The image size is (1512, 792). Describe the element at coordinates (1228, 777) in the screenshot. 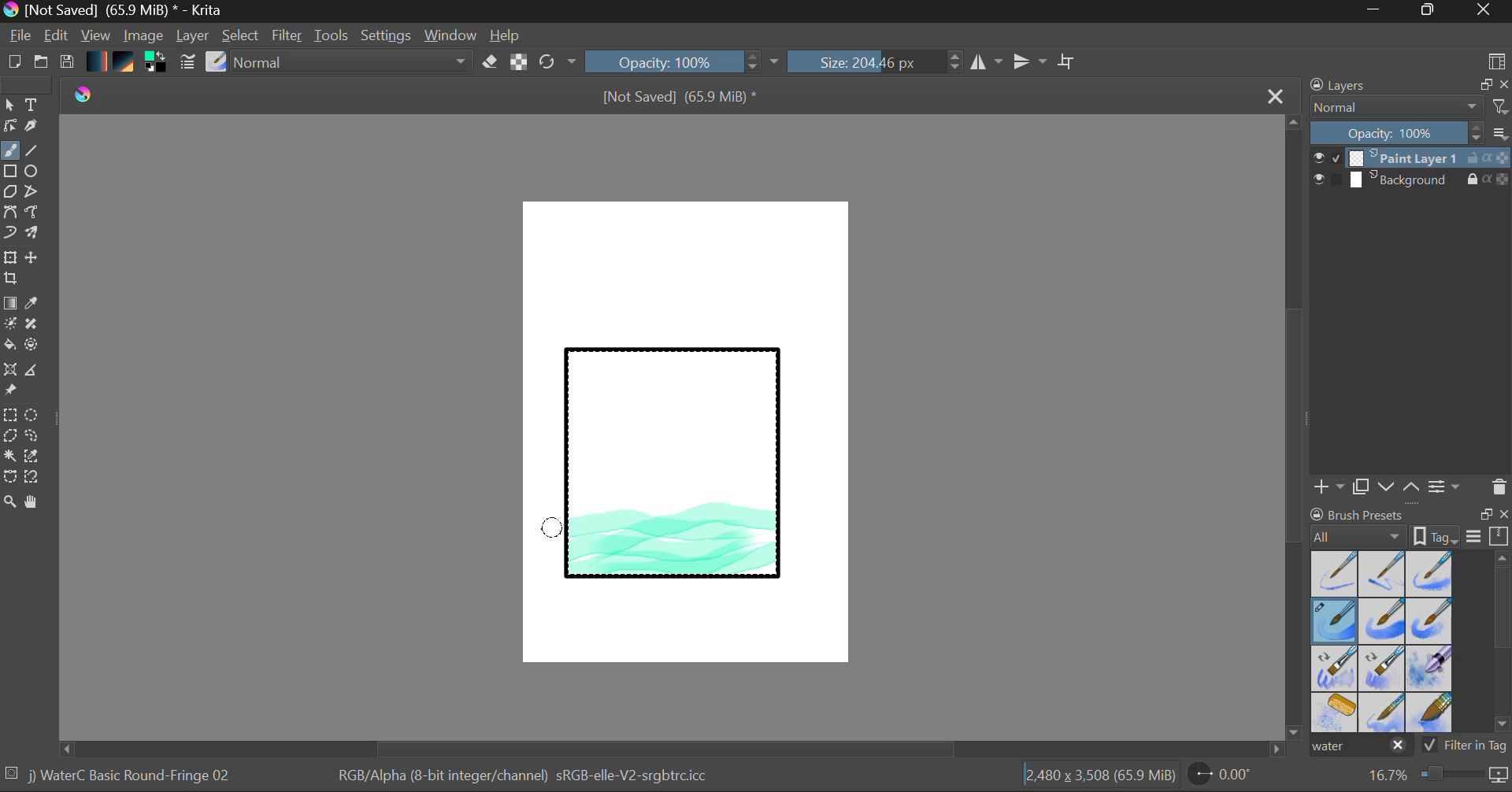

I see `Page Rotation` at that location.